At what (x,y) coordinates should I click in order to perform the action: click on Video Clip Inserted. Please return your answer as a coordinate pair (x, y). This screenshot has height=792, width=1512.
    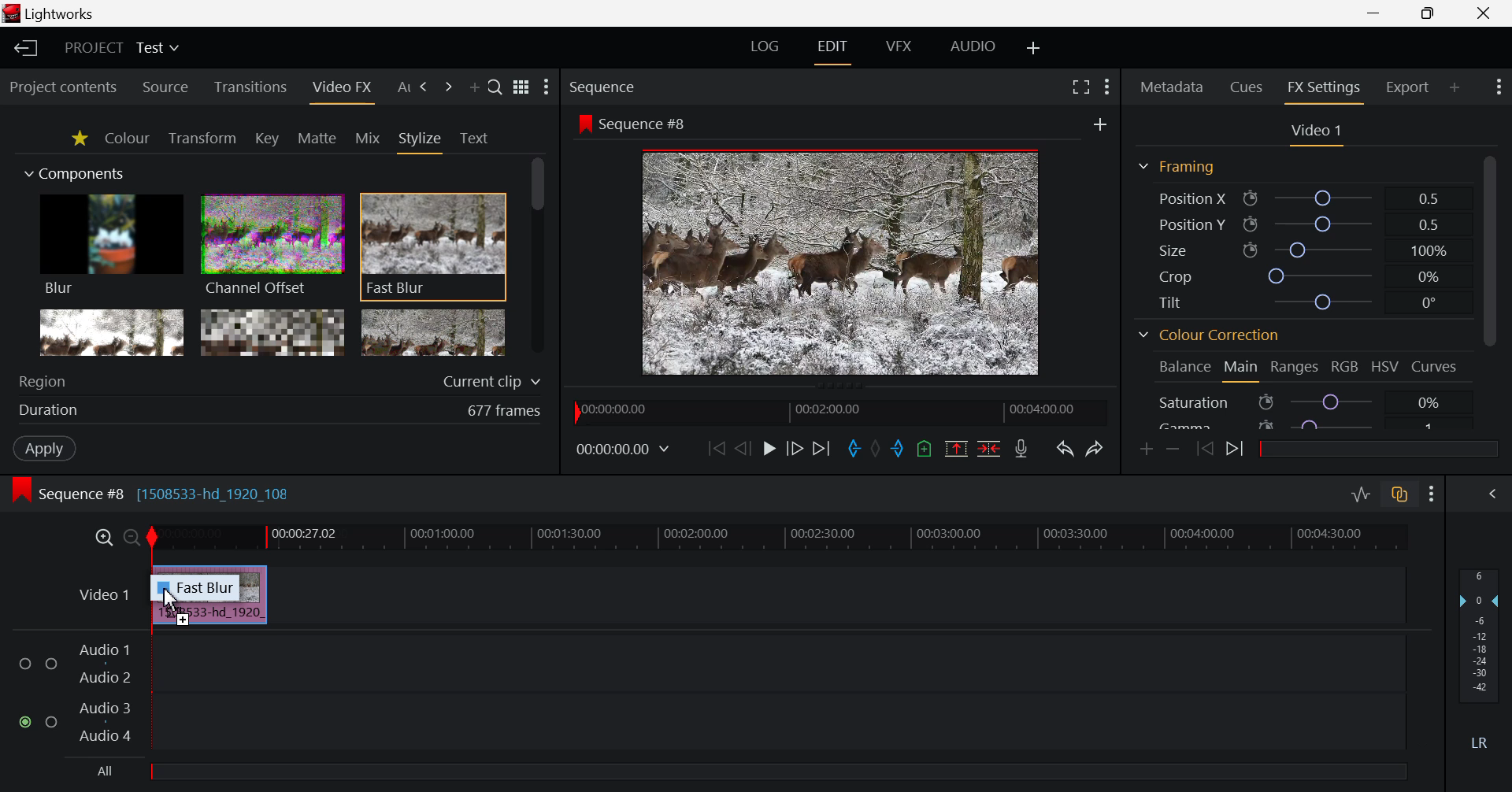
    Looking at the image, I should click on (209, 616).